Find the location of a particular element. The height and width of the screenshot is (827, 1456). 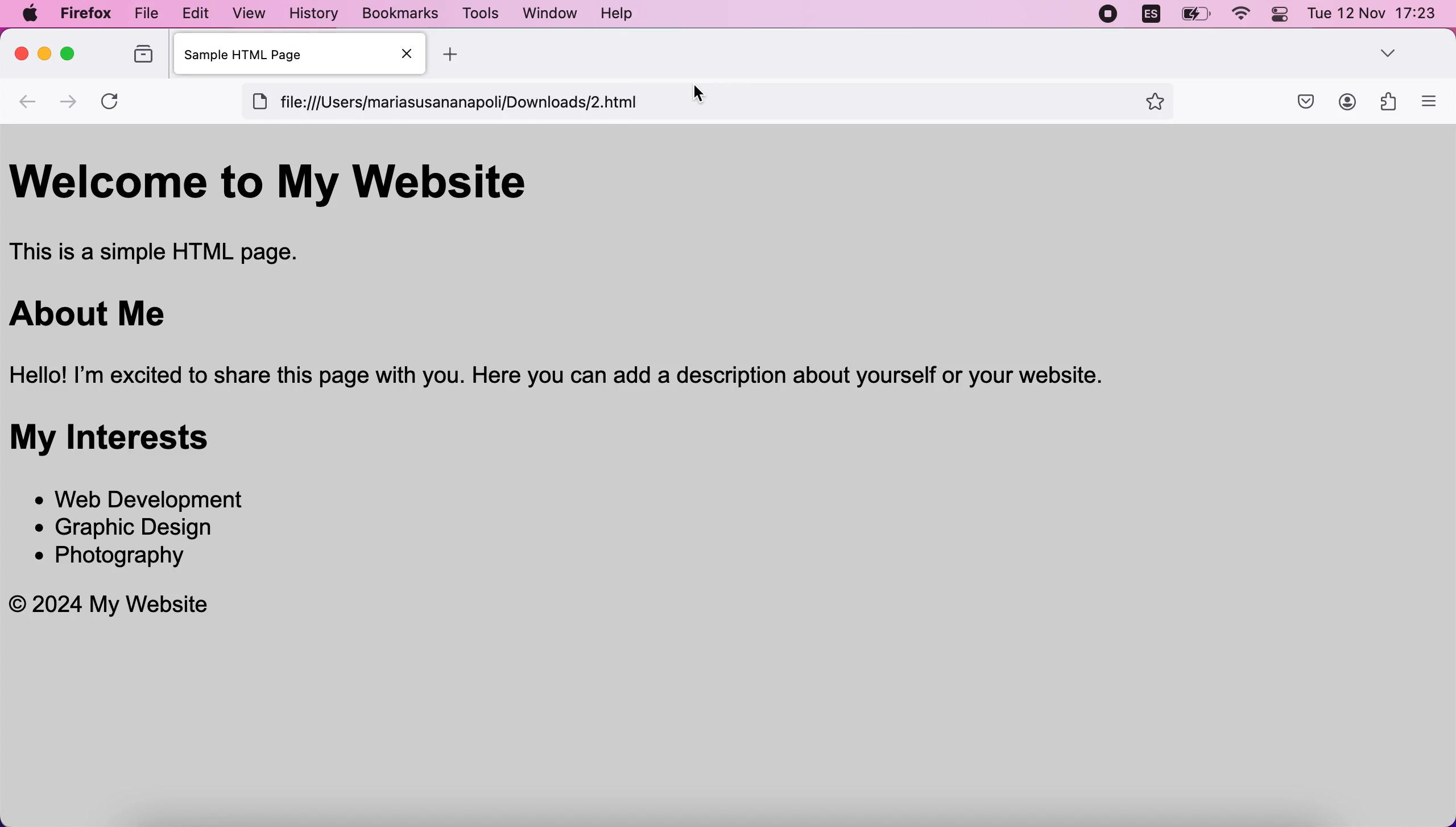

edit is located at coordinates (196, 14).